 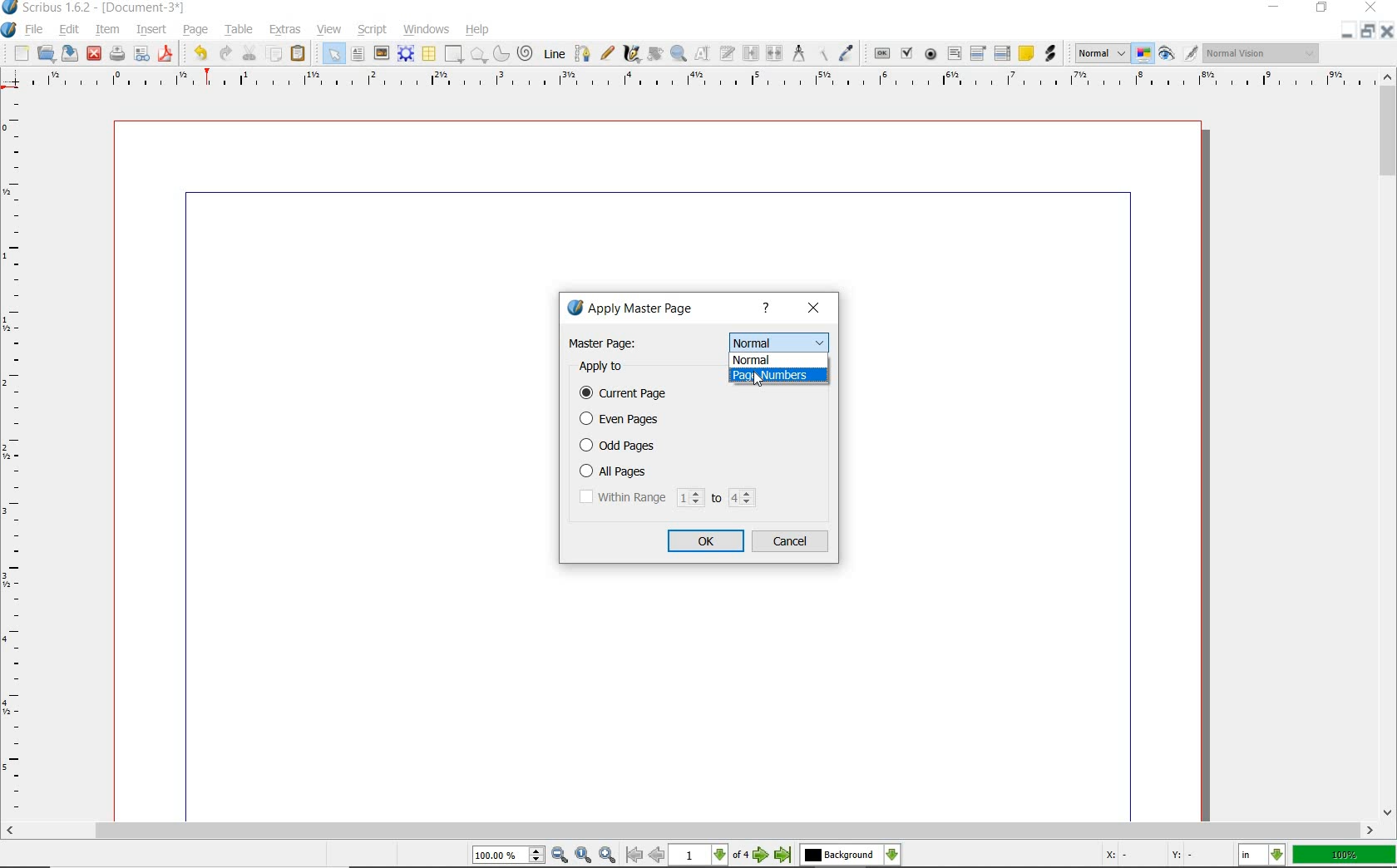 I want to click on image frame, so click(x=380, y=52).